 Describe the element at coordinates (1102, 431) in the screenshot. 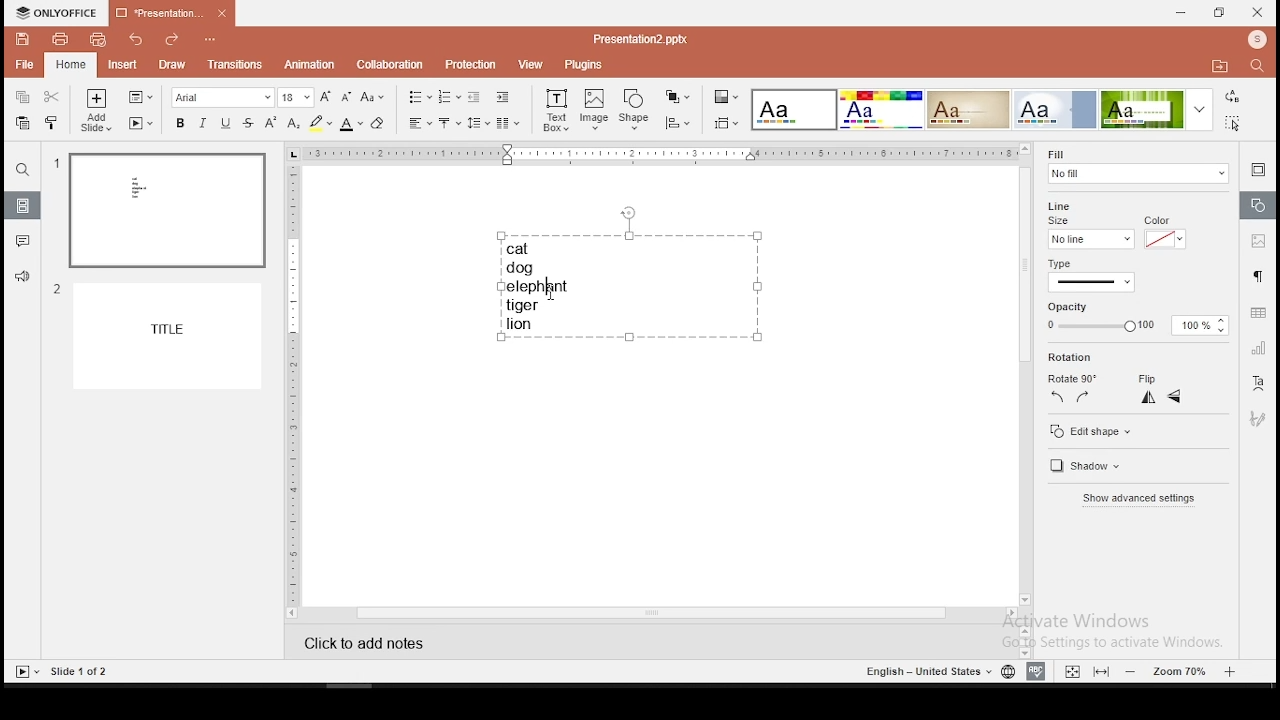

I see `Show advanced option` at that location.